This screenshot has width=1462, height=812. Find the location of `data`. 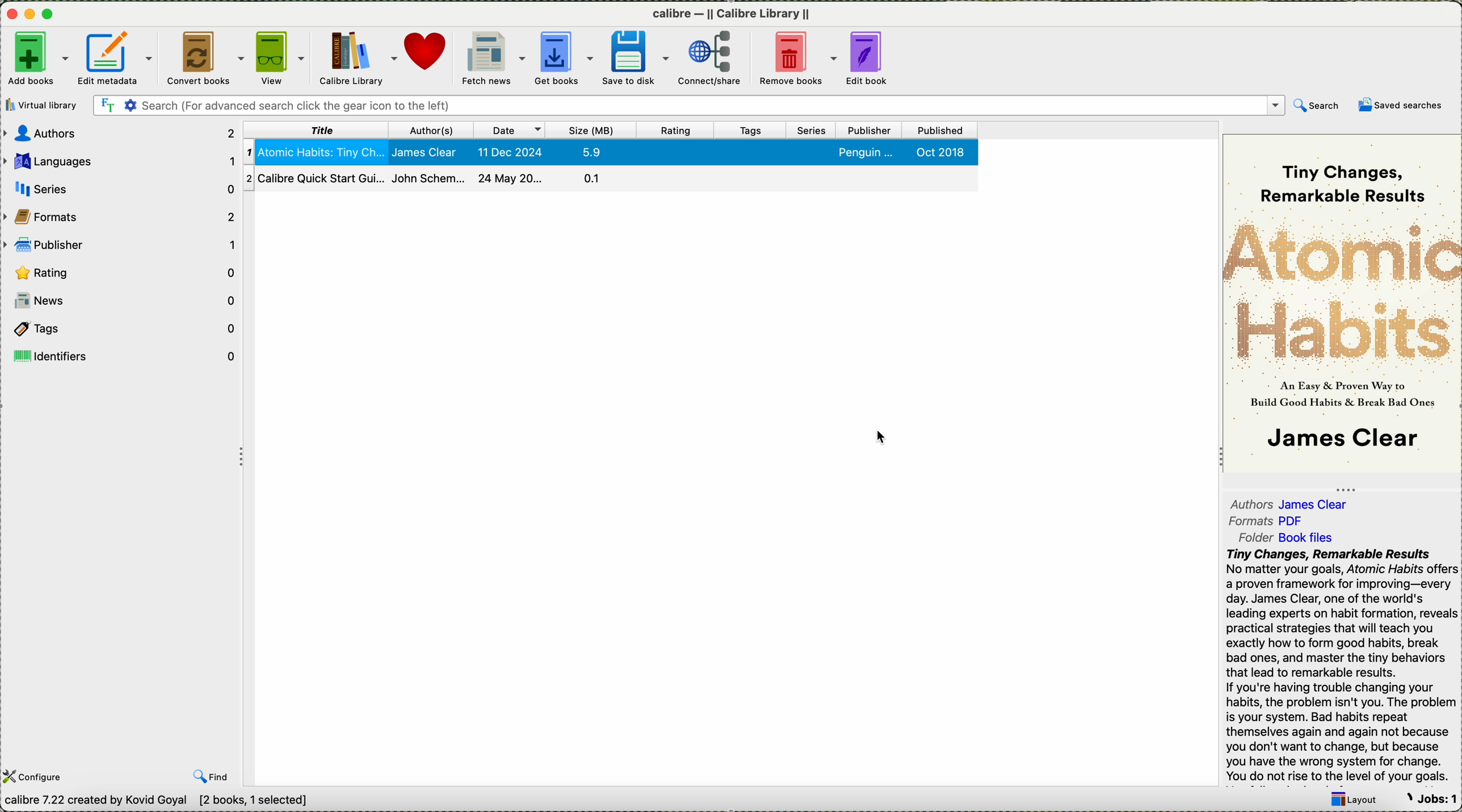

data is located at coordinates (202, 802).